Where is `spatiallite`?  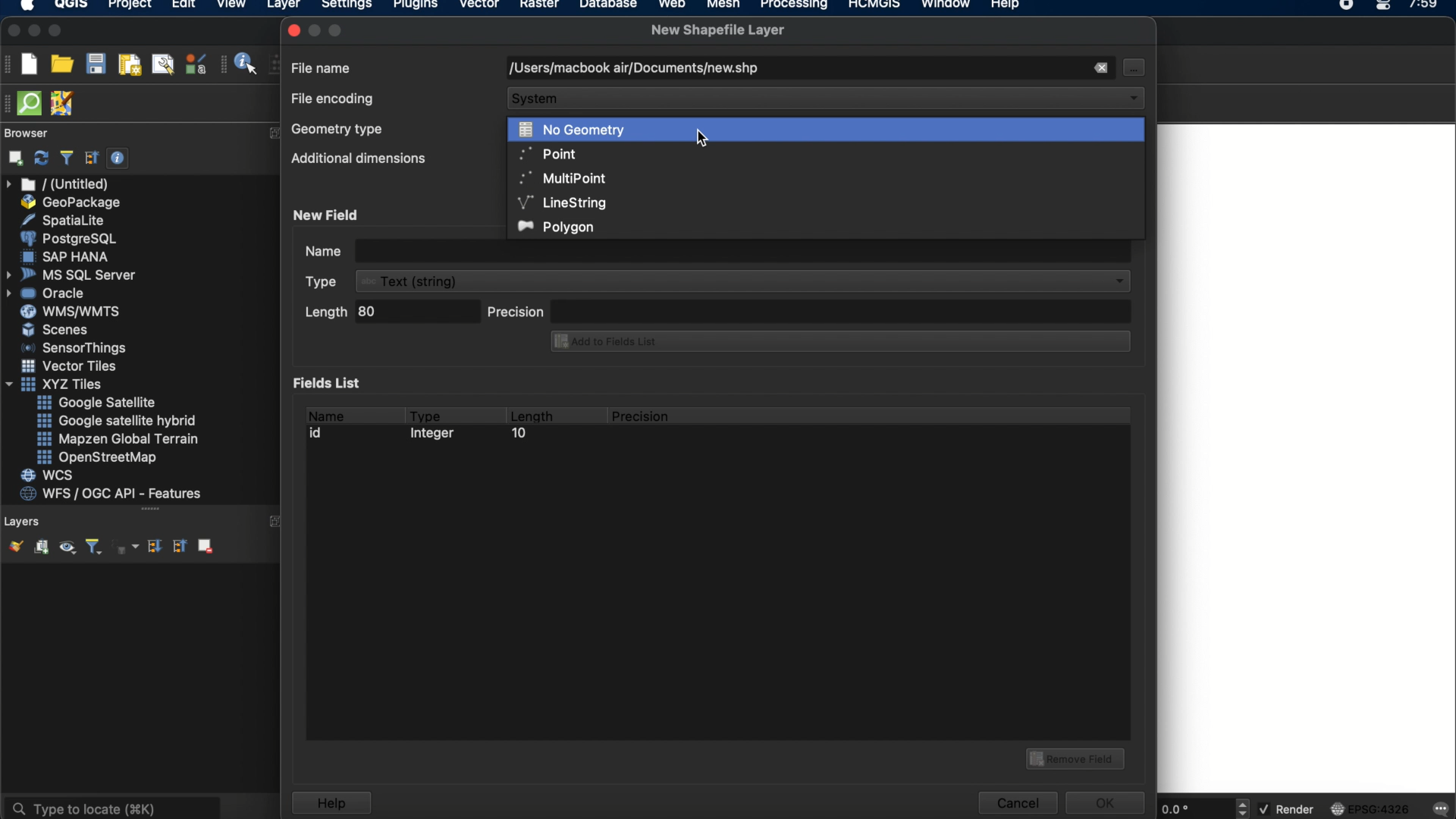
spatiallite is located at coordinates (66, 220).